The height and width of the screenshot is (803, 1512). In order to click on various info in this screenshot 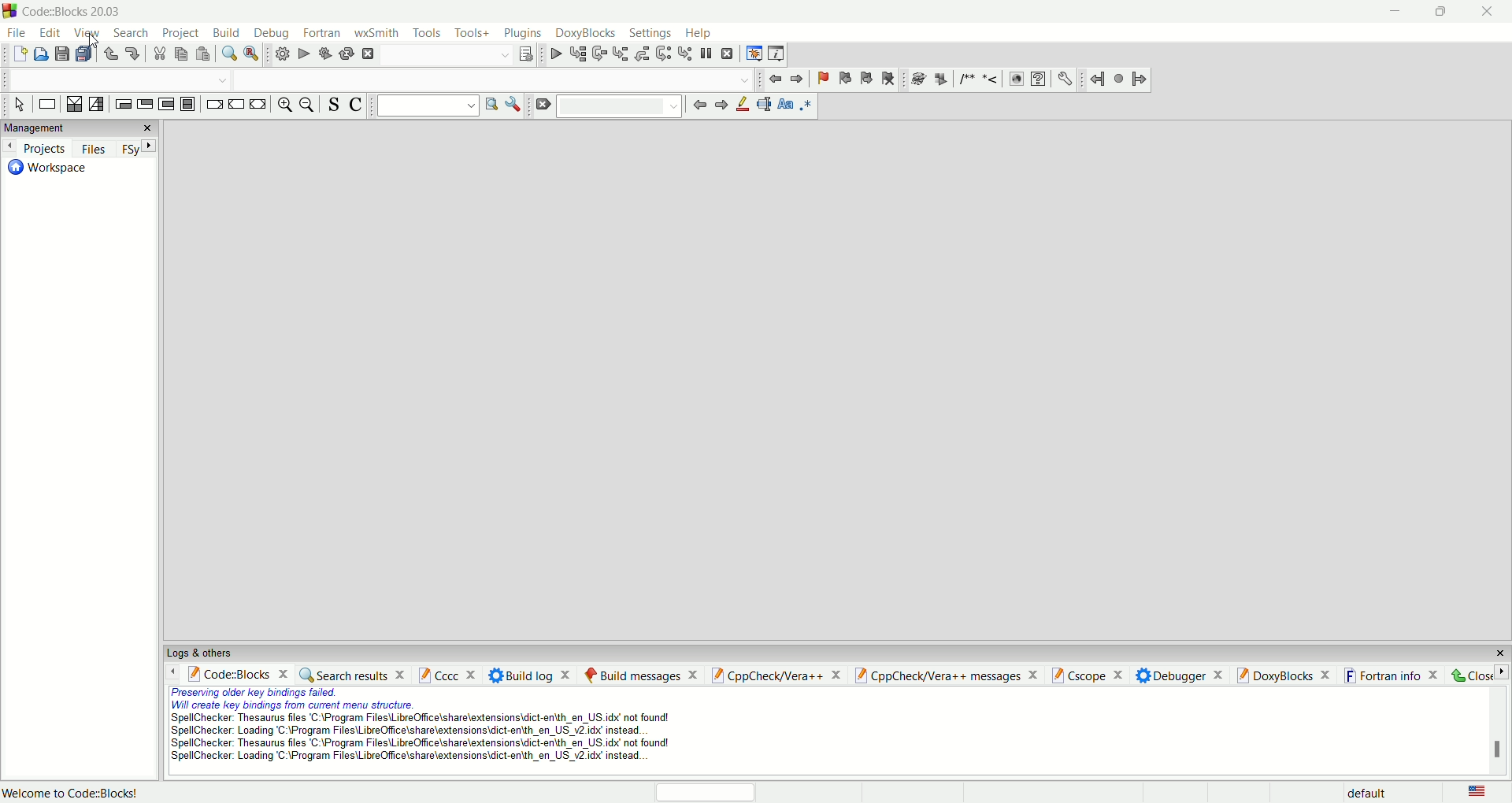, I will do `click(776, 54)`.